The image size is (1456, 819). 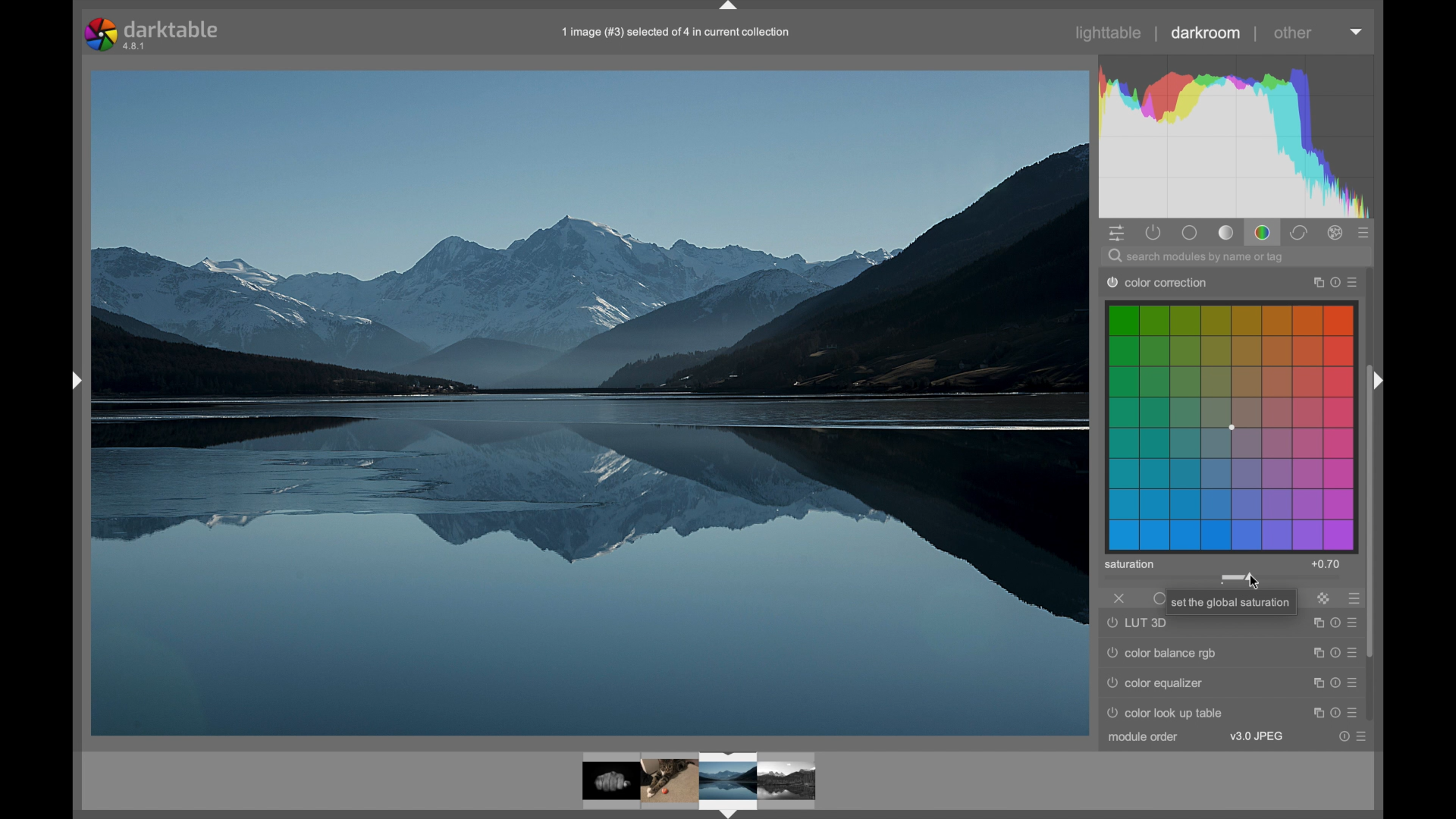 What do you see at coordinates (586, 403) in the screenshot?
I see `photo preview ` at bounding box center [586, 403].